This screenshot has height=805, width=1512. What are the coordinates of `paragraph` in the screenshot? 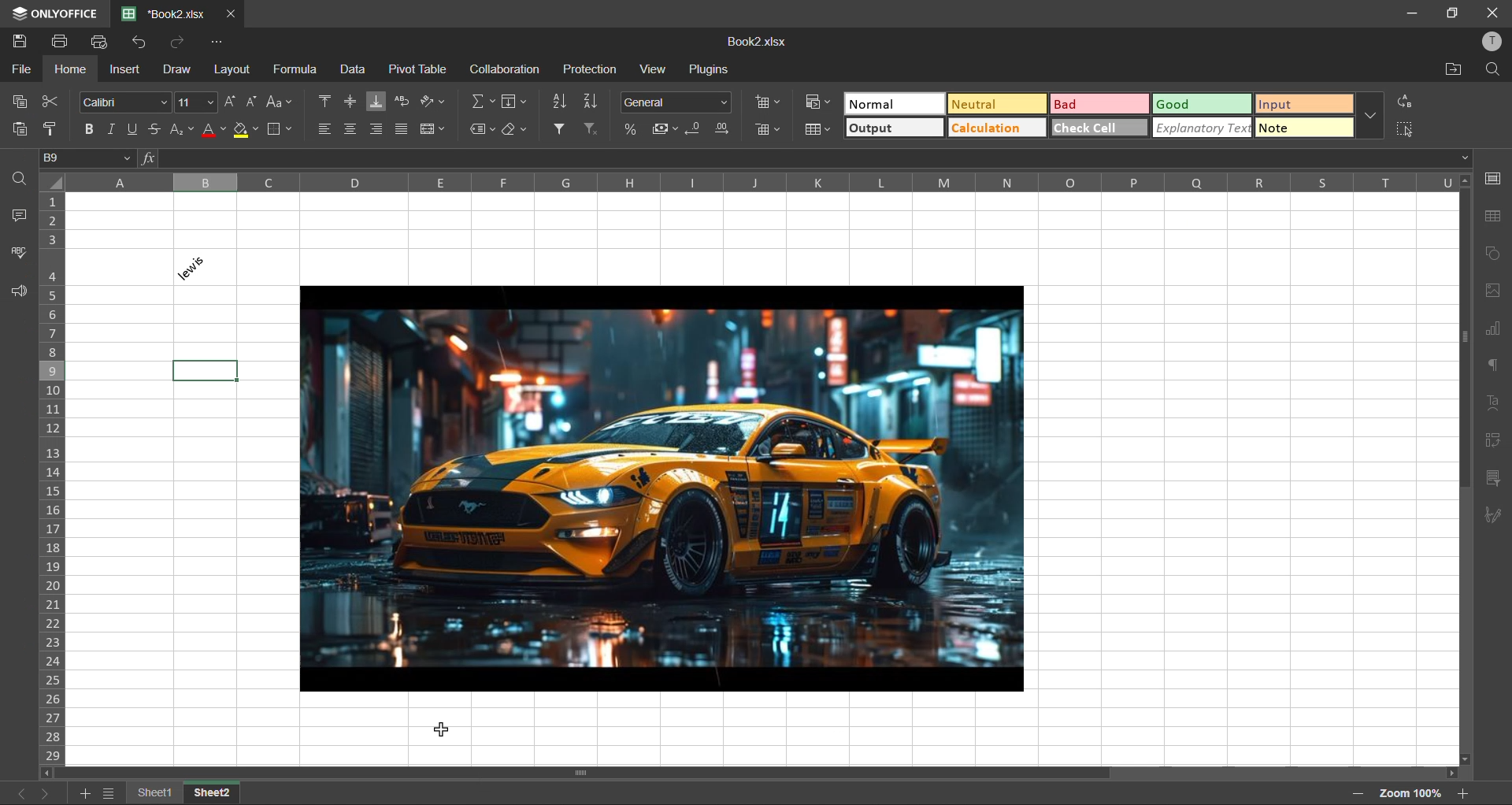 It's located at (1492, 365).